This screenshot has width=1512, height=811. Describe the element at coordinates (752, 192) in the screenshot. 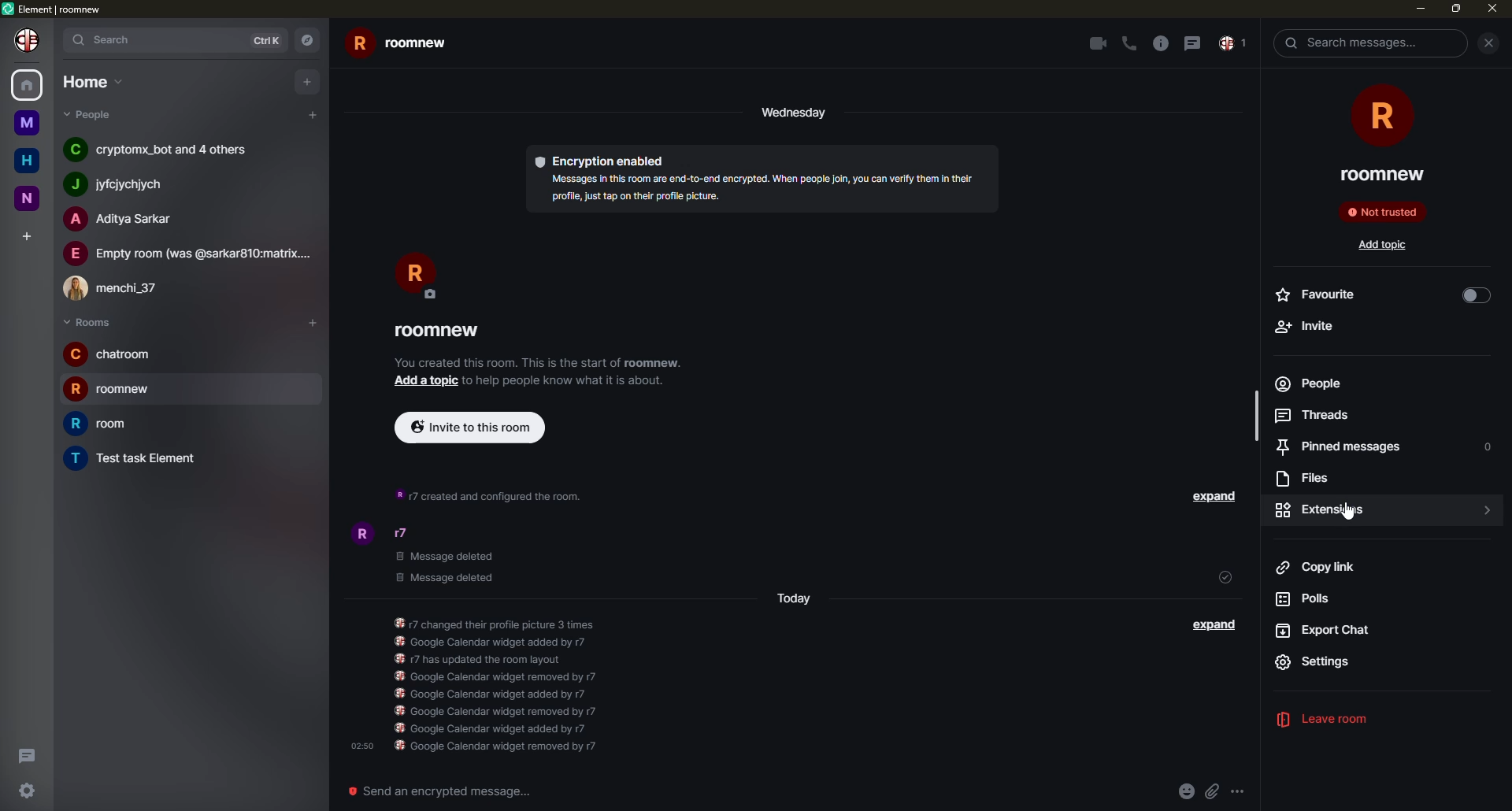

I see `info` at that location.